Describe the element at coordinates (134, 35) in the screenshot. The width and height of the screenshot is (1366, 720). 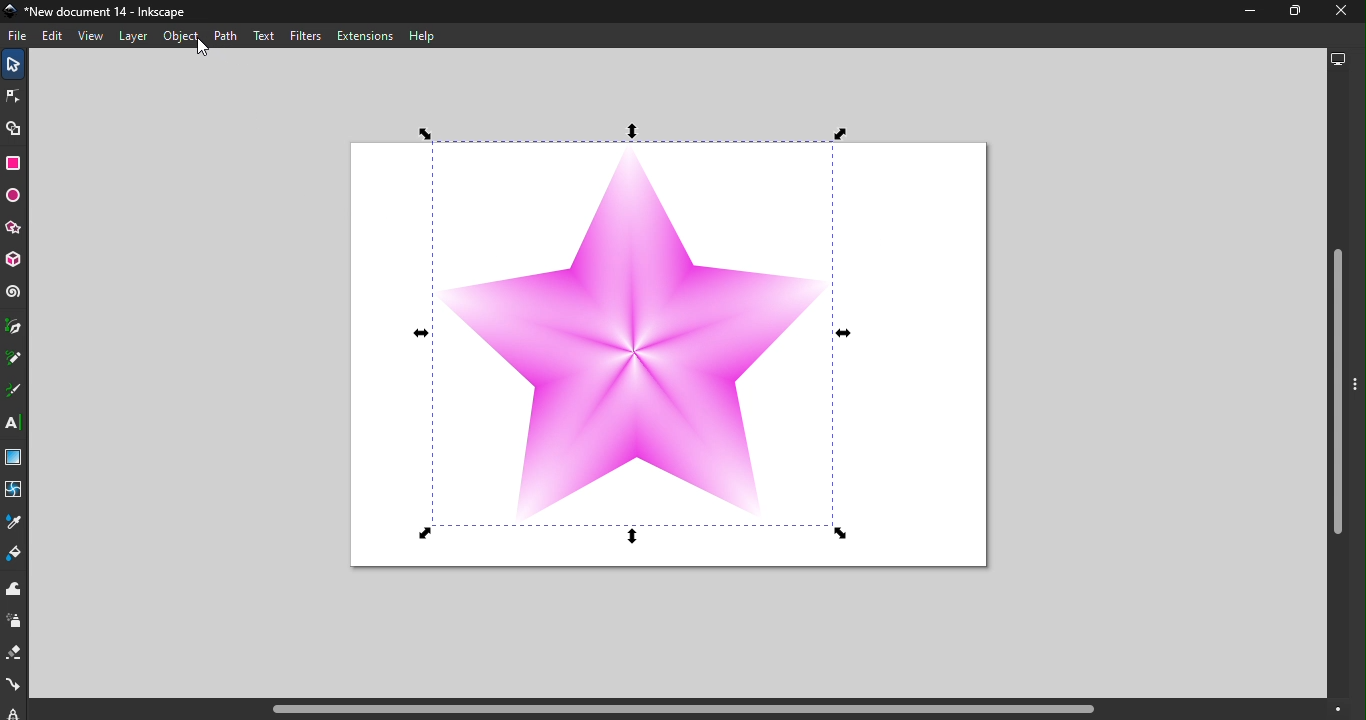
I see `Layer` at that location.